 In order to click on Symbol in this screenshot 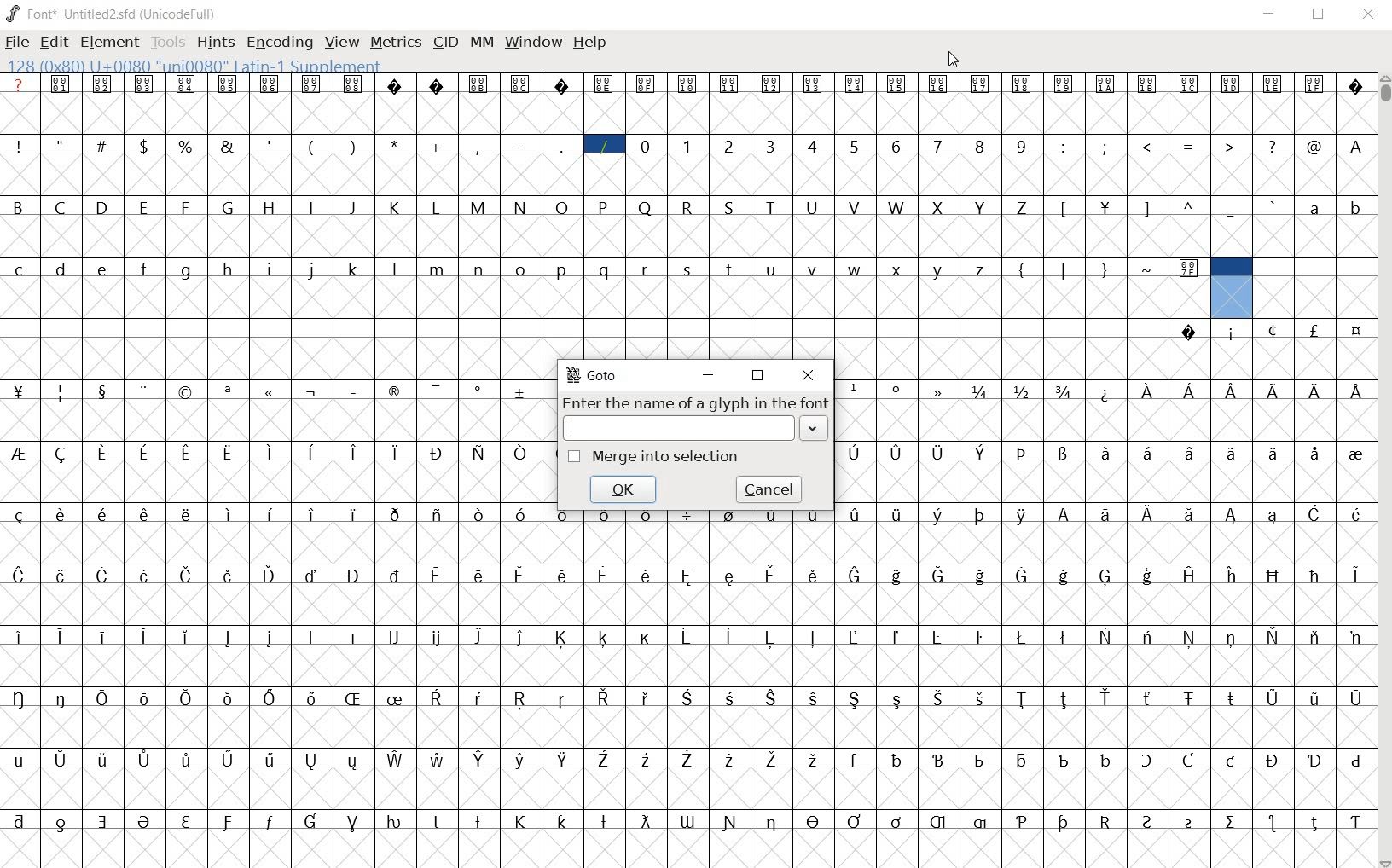, I will do `click(855, 700)`.